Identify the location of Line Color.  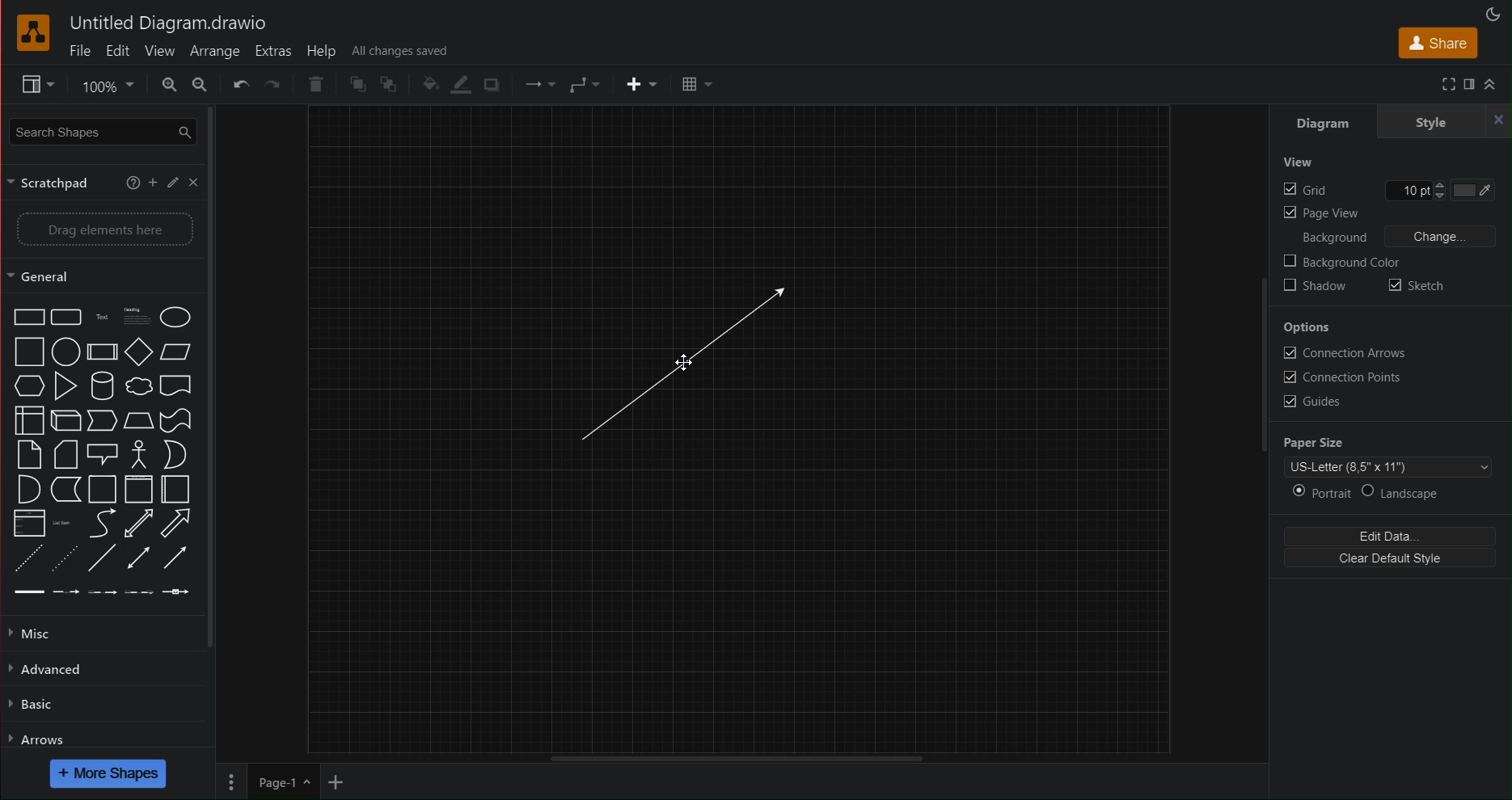
(458, 86).